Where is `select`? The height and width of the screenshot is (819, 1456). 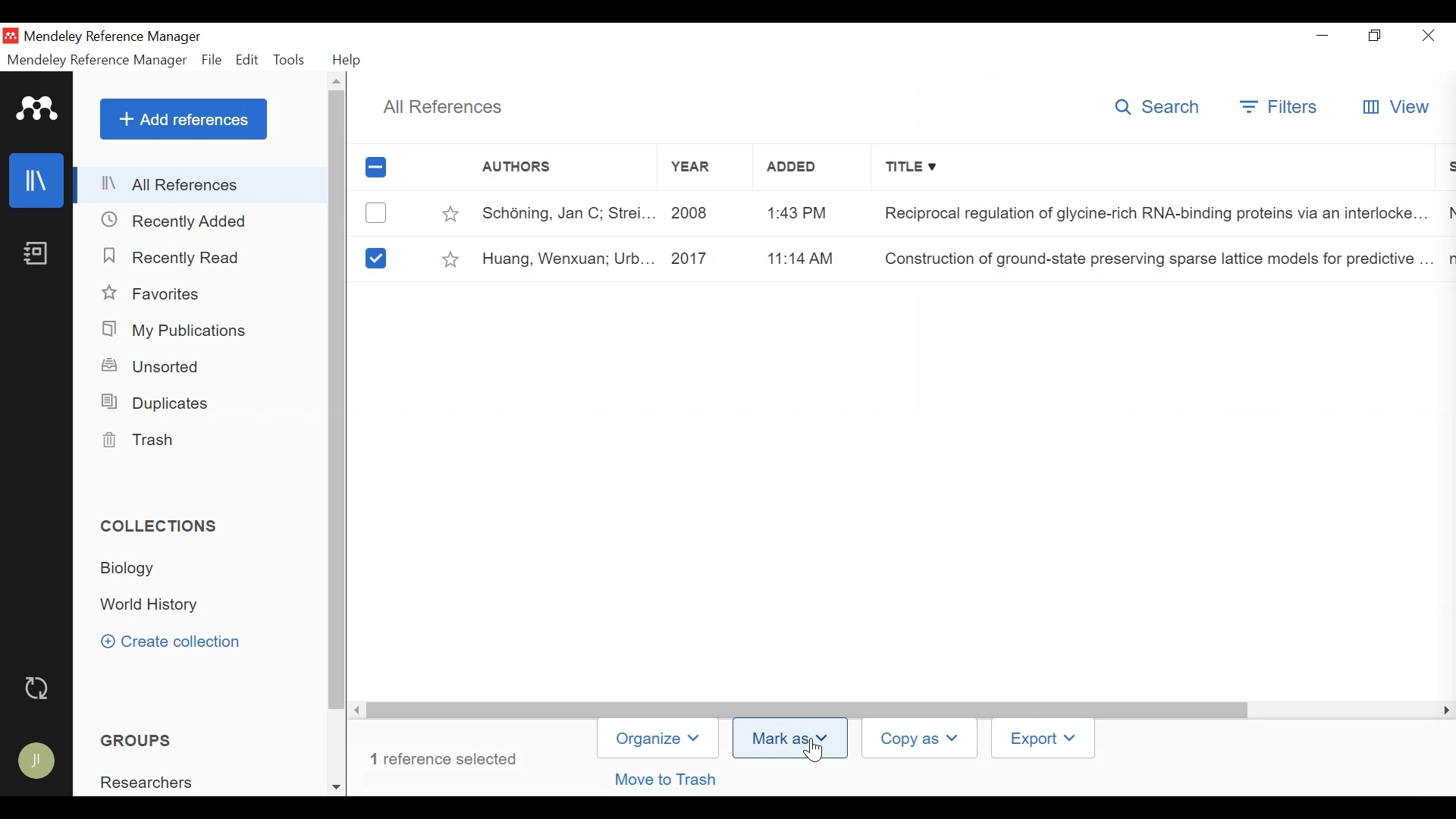 select is located at coordinates (375, 257).